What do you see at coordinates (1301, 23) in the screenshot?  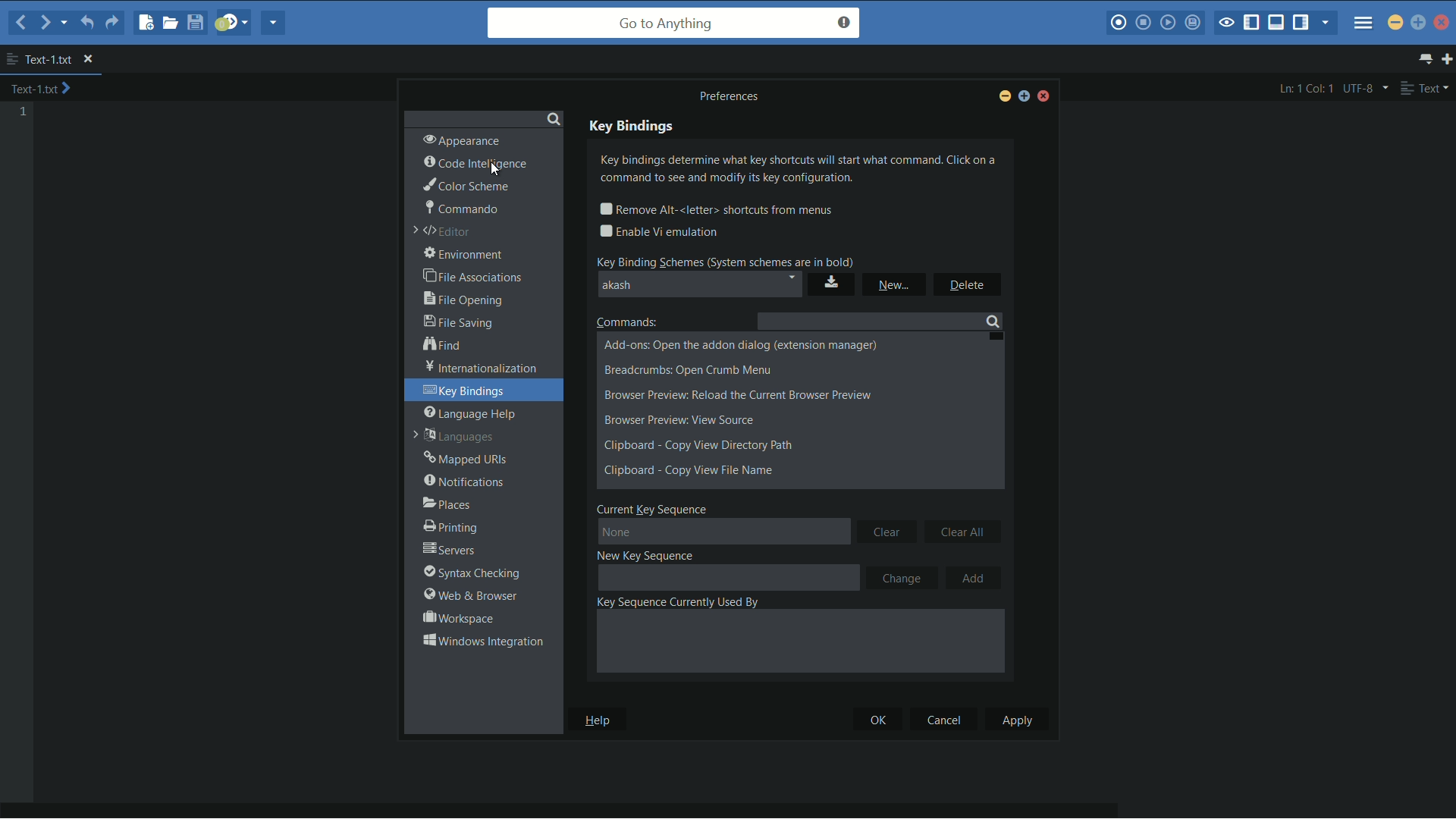 I see `show/hide right panel` at bounding box center [1301, 23].